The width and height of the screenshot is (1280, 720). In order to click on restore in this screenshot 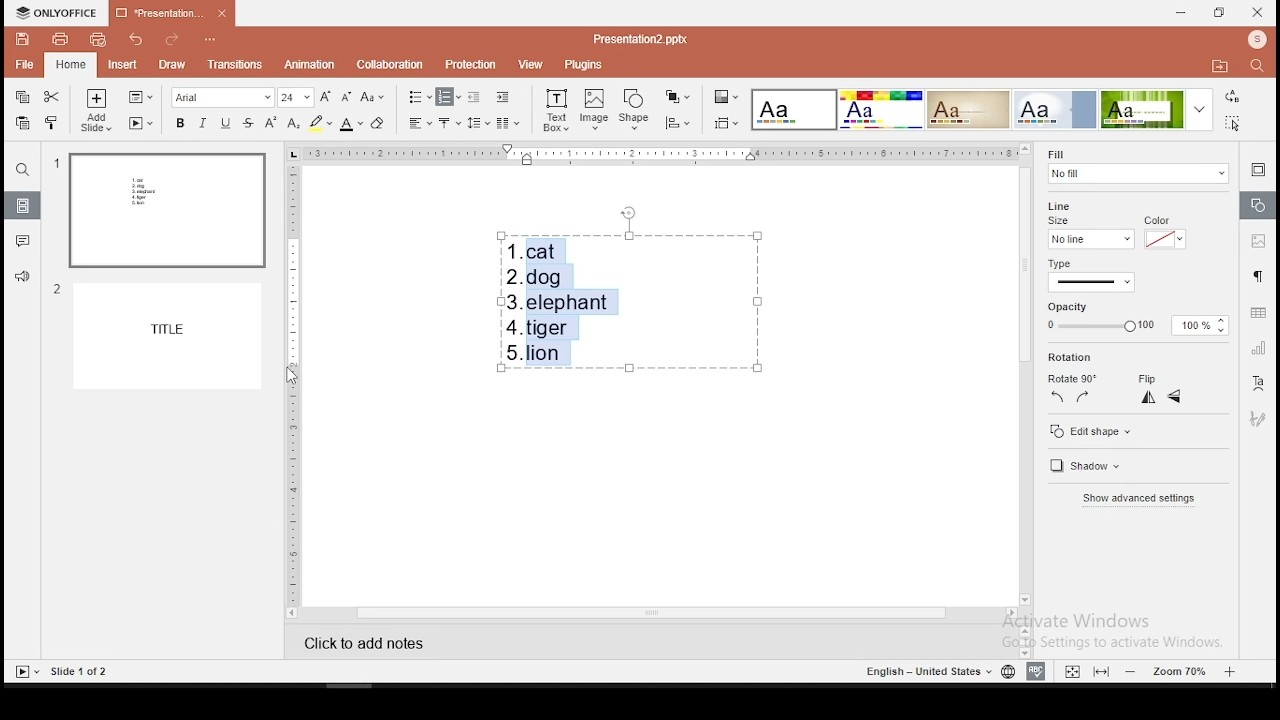, I will do `click(1217, 13)`.